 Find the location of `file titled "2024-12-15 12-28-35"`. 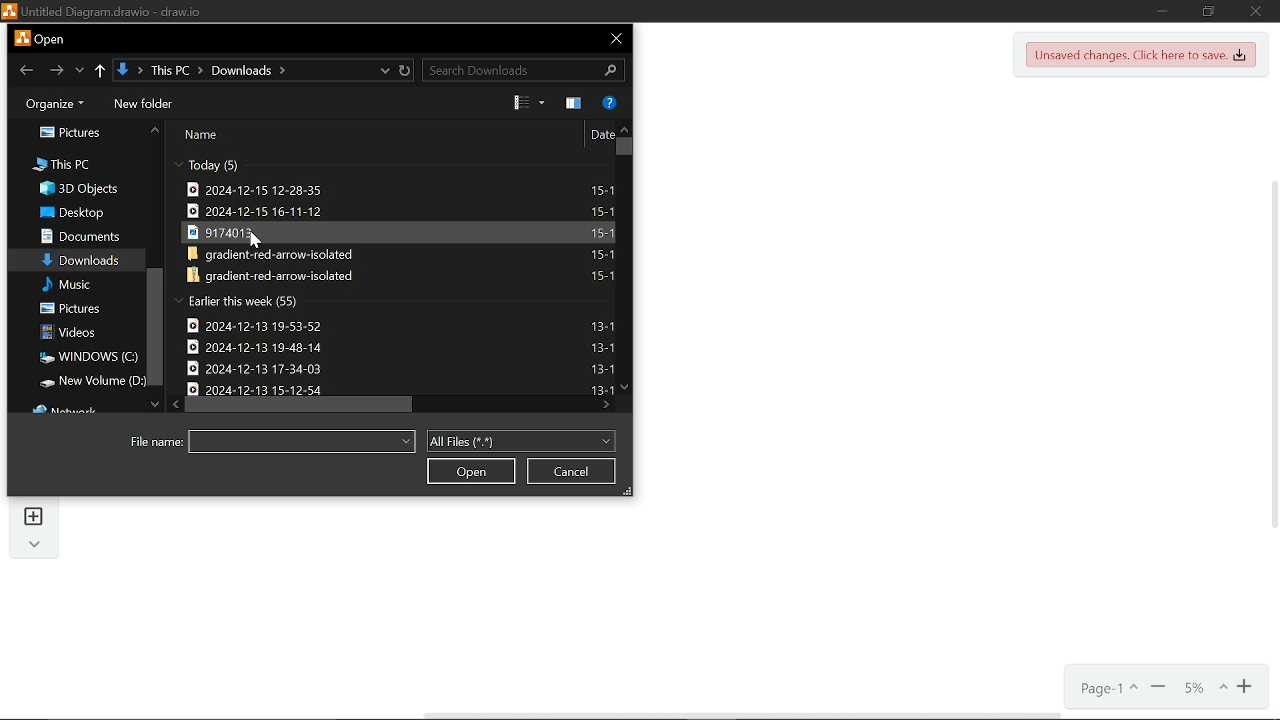

file titled "2024-12-15 12-28-35" is located at coordinates (404, 189).